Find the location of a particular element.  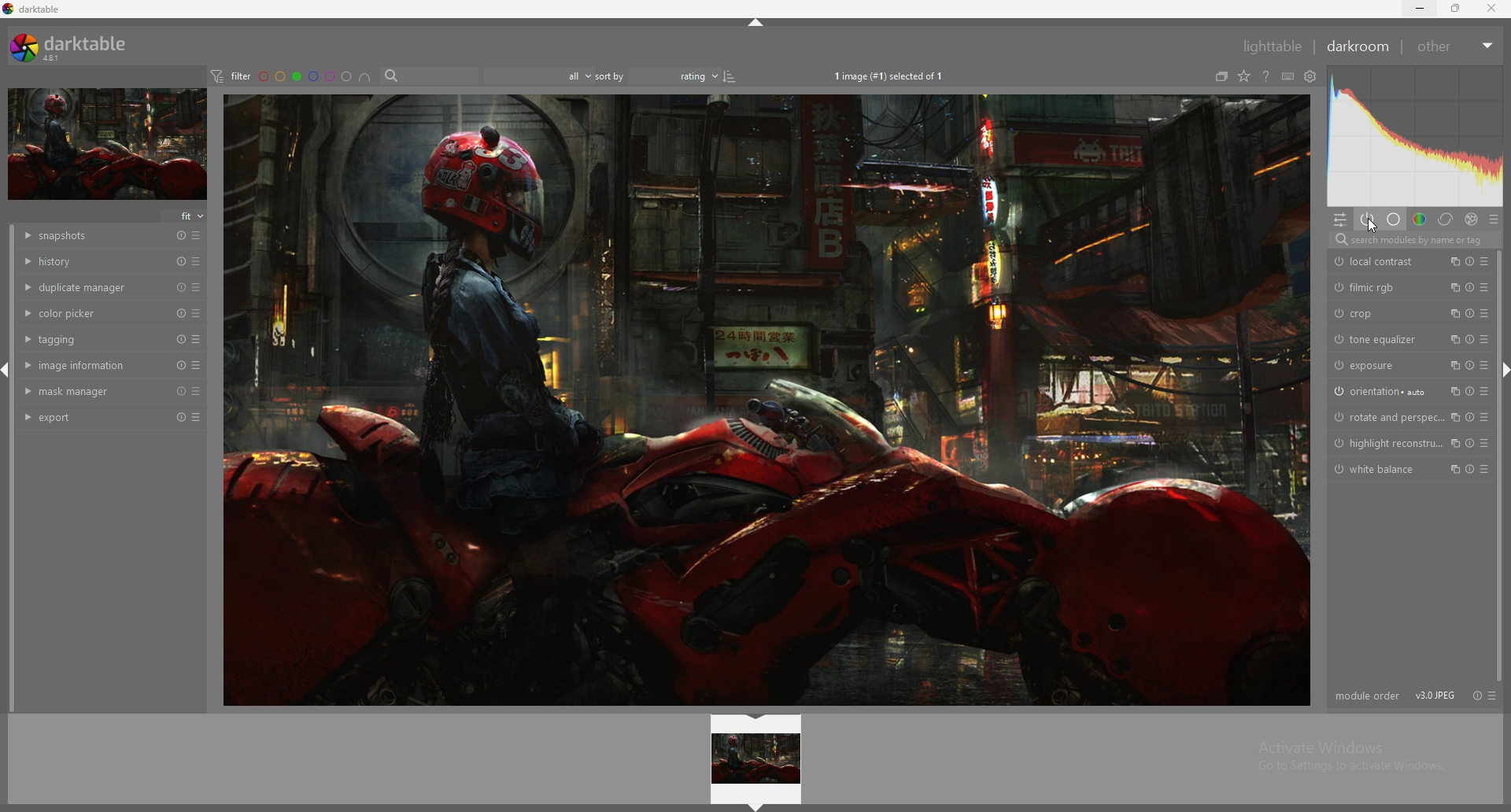

search modules is located at coordinates (1413, 242).